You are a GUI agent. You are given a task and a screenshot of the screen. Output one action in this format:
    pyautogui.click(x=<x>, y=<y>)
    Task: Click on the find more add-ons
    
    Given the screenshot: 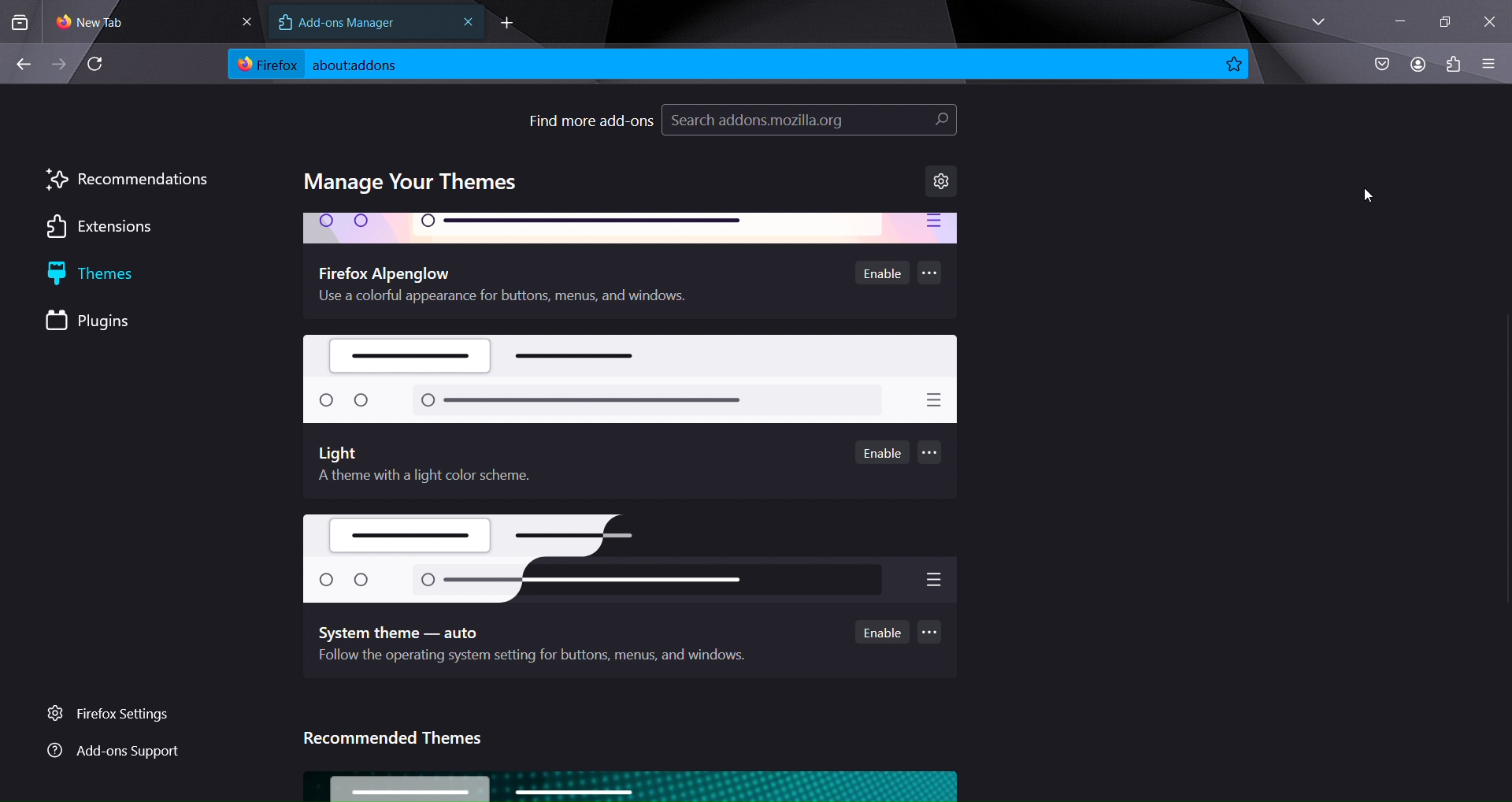 What is the action you would take?
    pyautogui.click(x=591, y=119)
    